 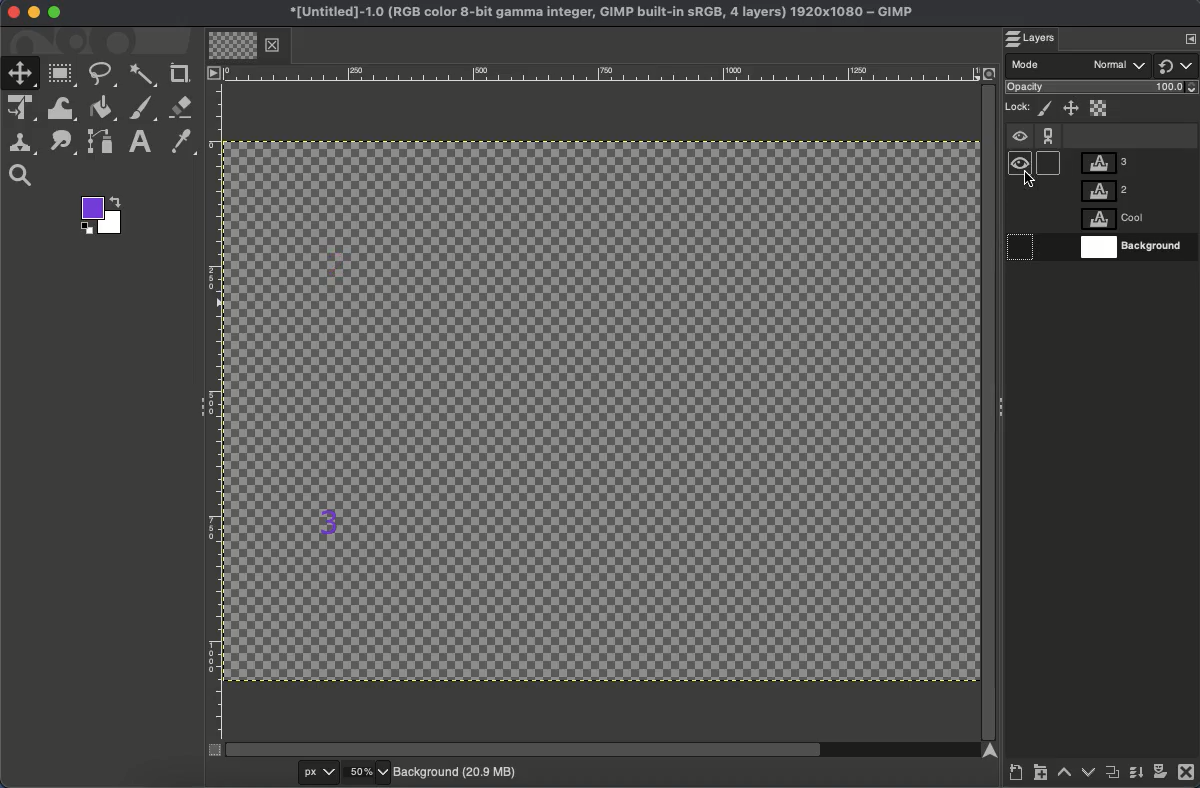 I want to click on Create a new layer, so click(x=1015, y=775).